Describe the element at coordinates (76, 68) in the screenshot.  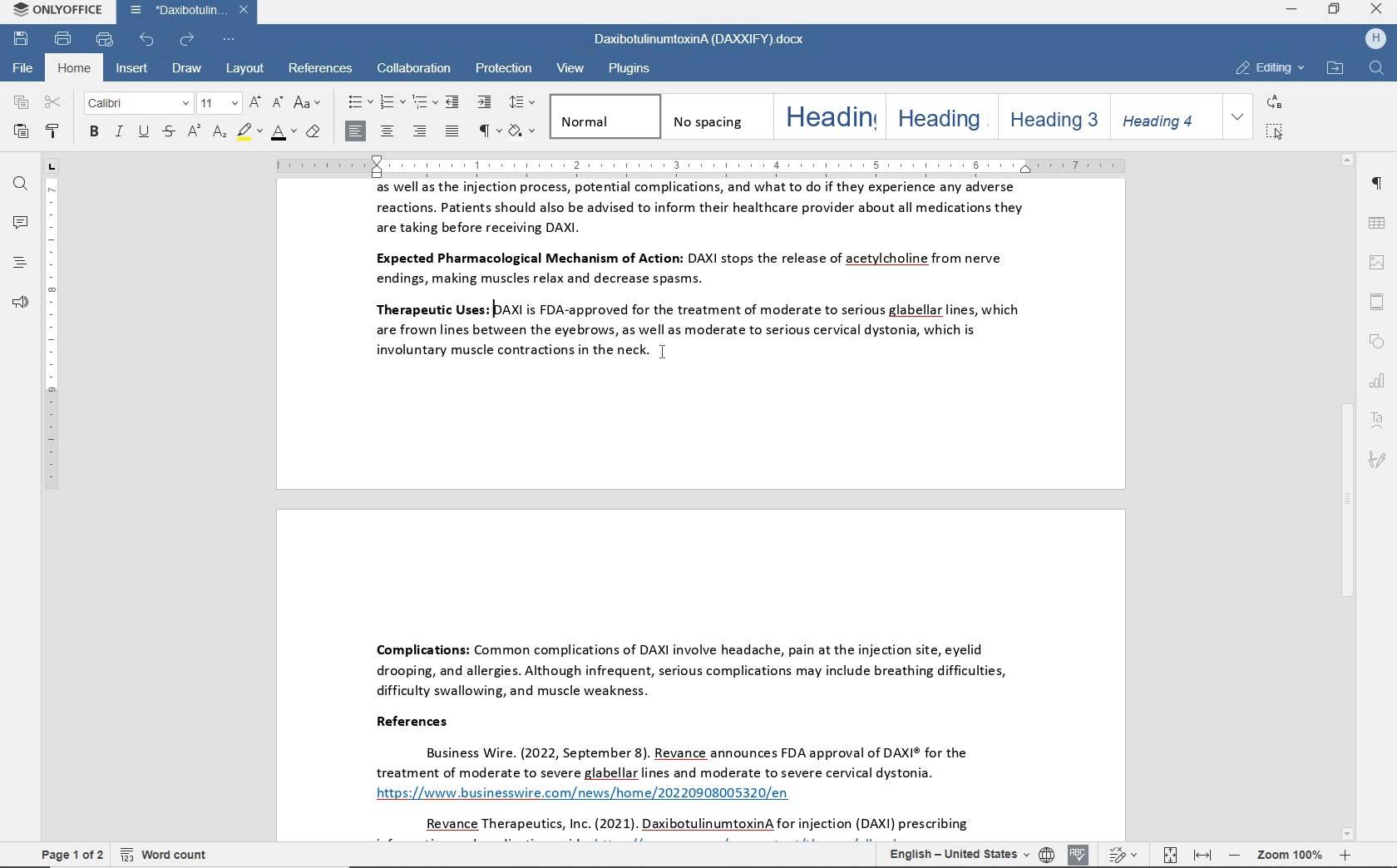
I see `home` at that location.